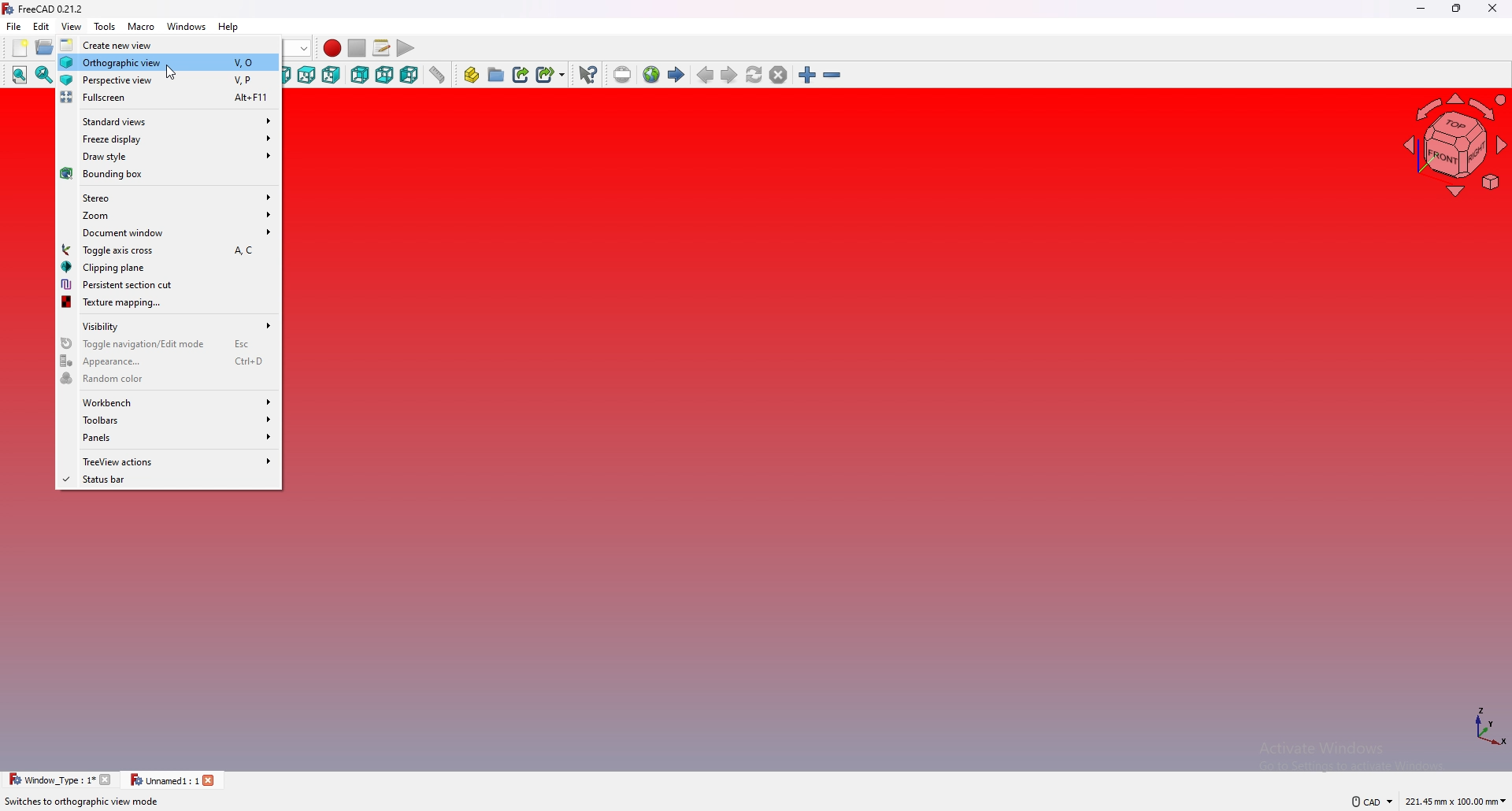  Describe the element at coordinates (169, 439) in the screenshot. I see `panels` at that location.